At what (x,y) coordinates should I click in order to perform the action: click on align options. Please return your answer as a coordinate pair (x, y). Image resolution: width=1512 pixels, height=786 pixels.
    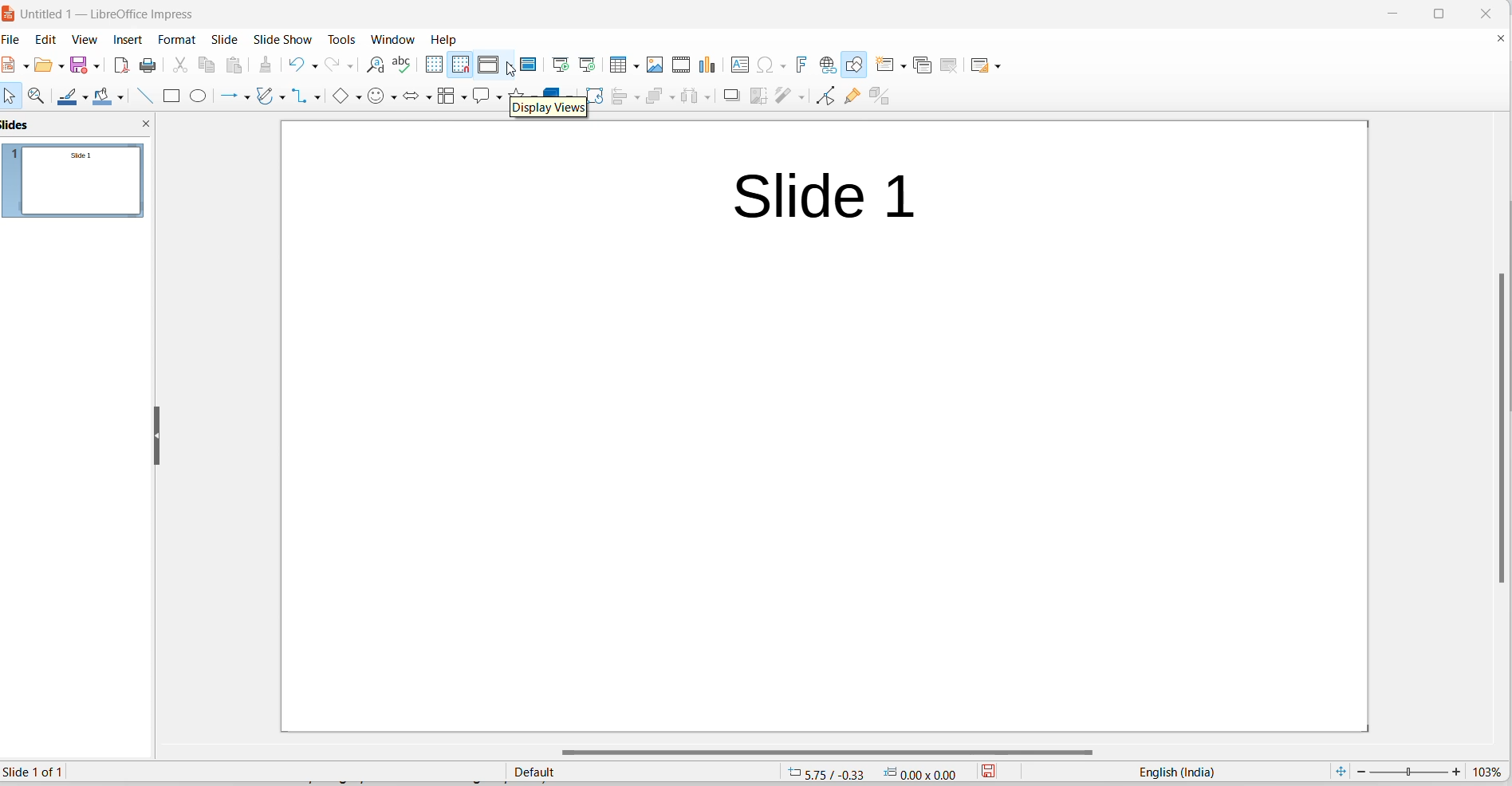
    Looking at the image, I should click on (636, 99).